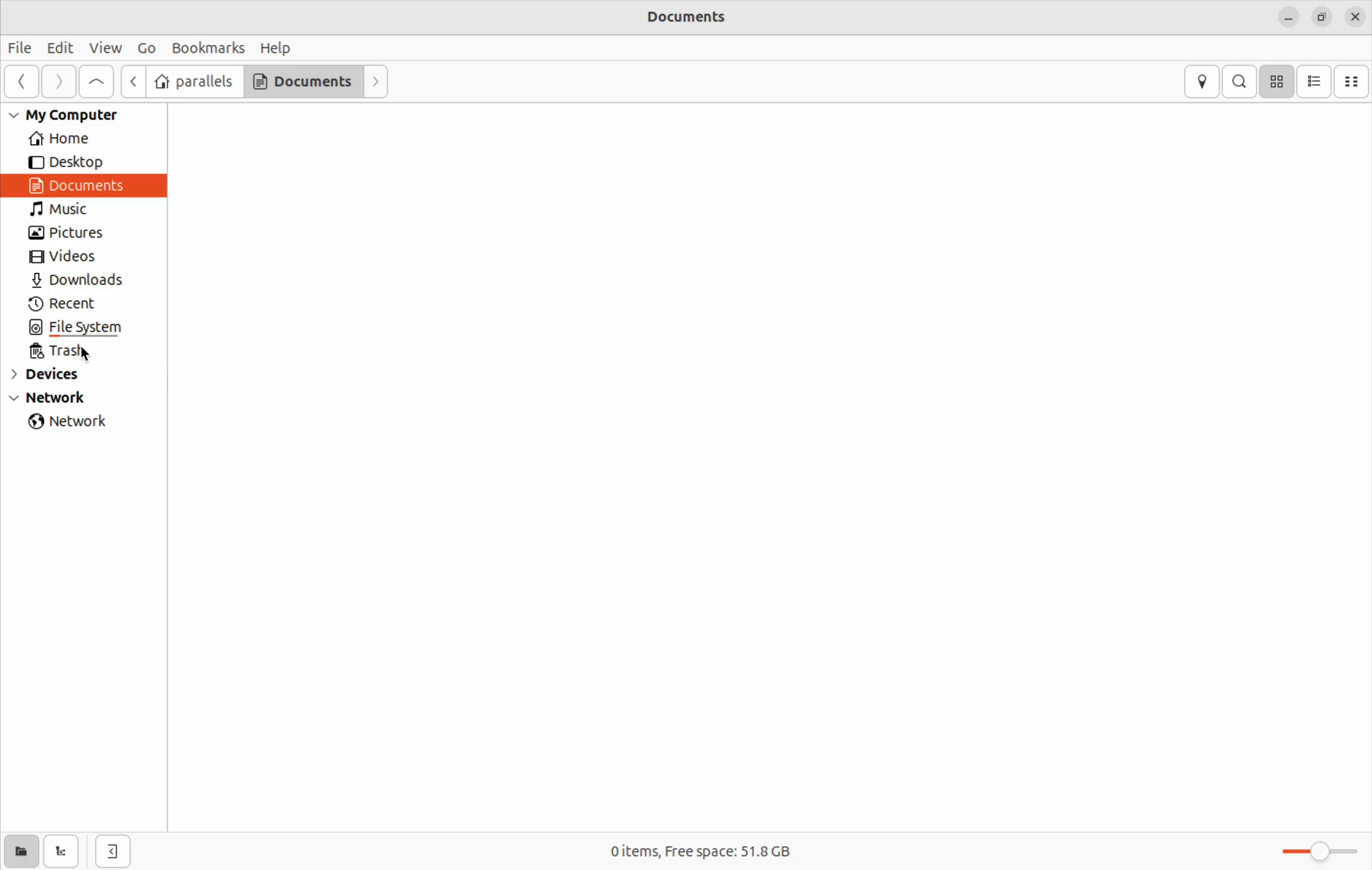  Describe the element at coordinates (1201, 81) in the screenshot. I see `location` at that location.